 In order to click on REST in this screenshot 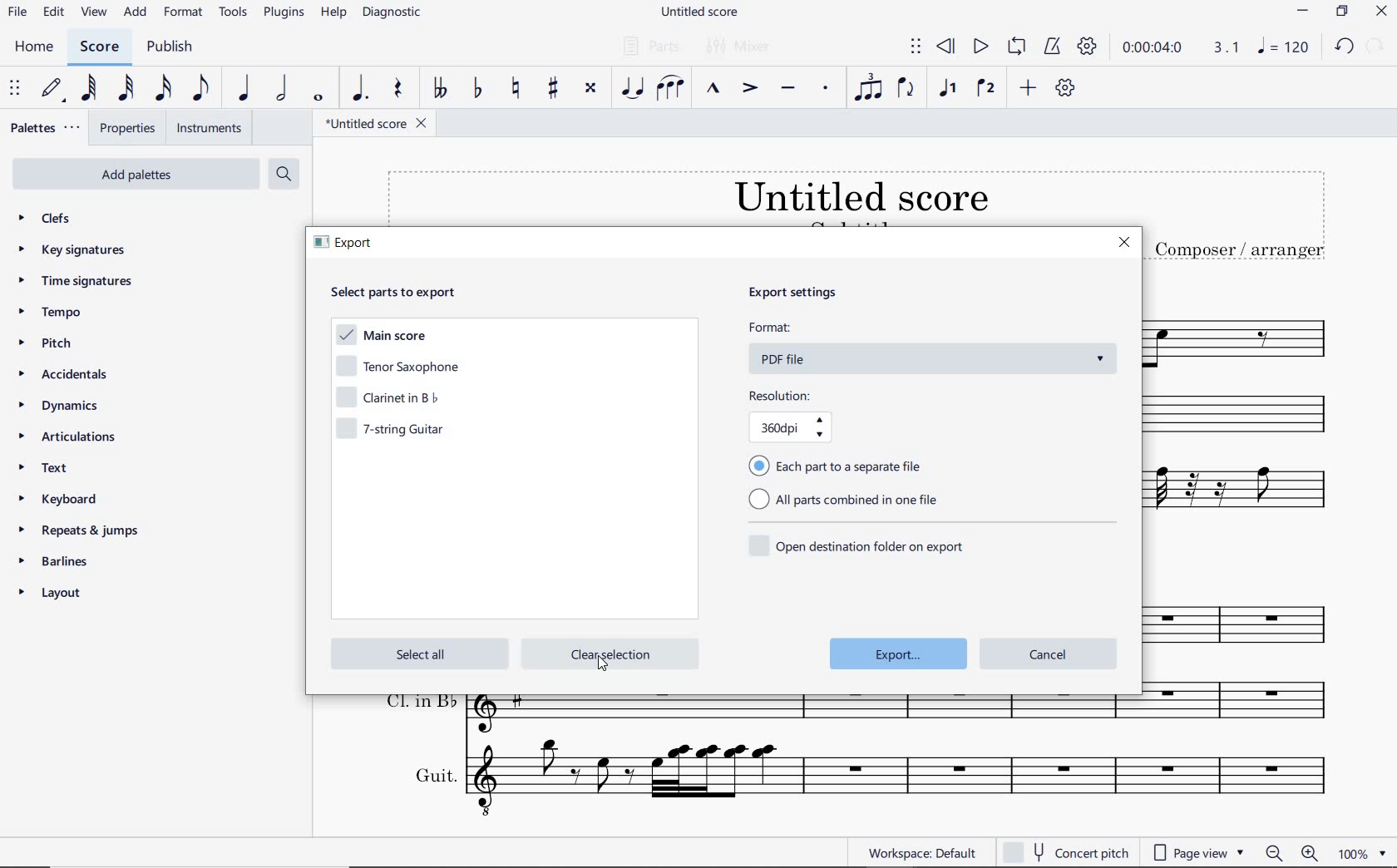, I will do `click(397, 89)`.